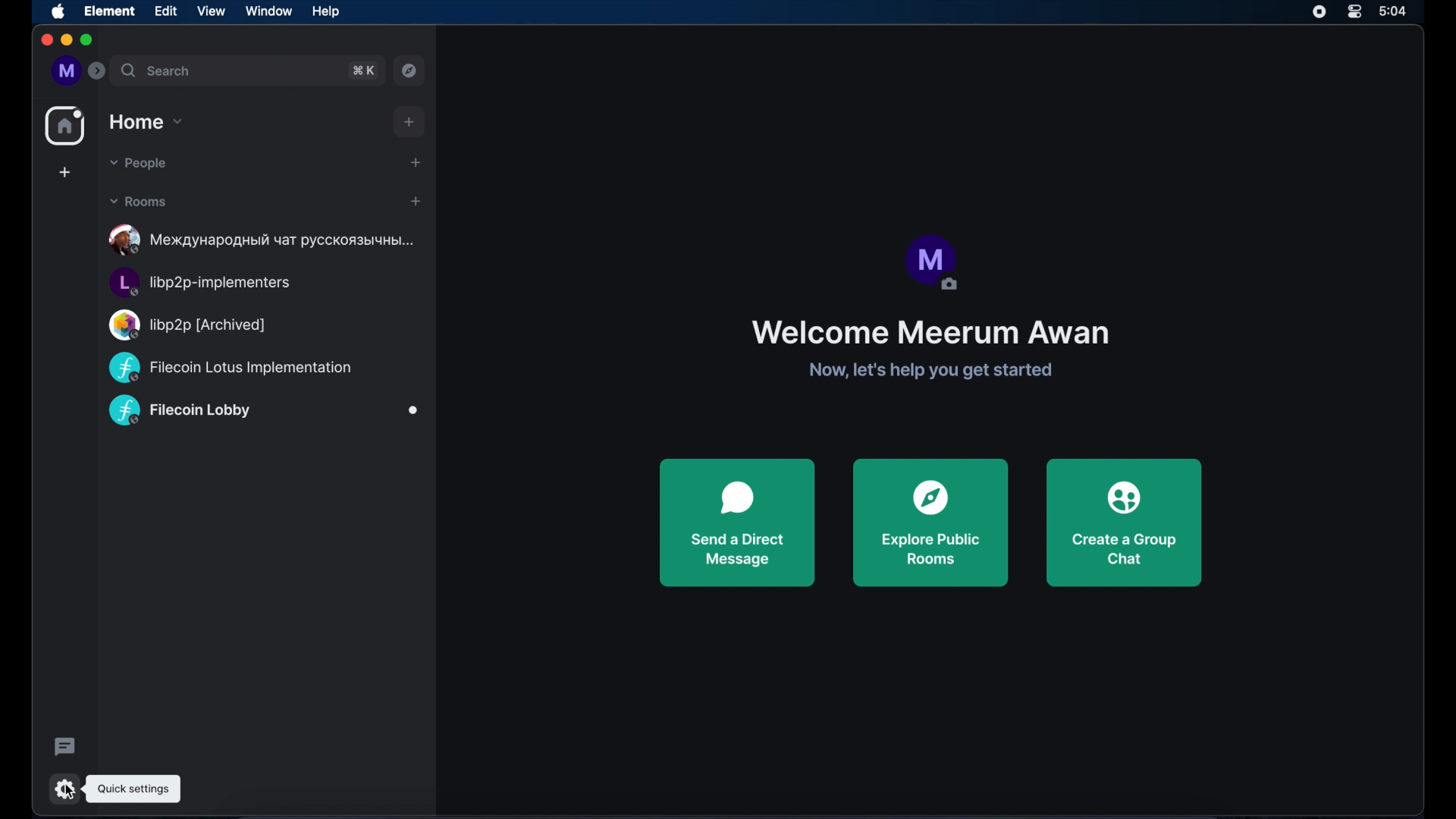 Image resolution: width=1456 pixels, height=819 pixels. What do you see at coordinates (65, 786) in the screenshot?
I see `settings` at bounding box center [65, 786].